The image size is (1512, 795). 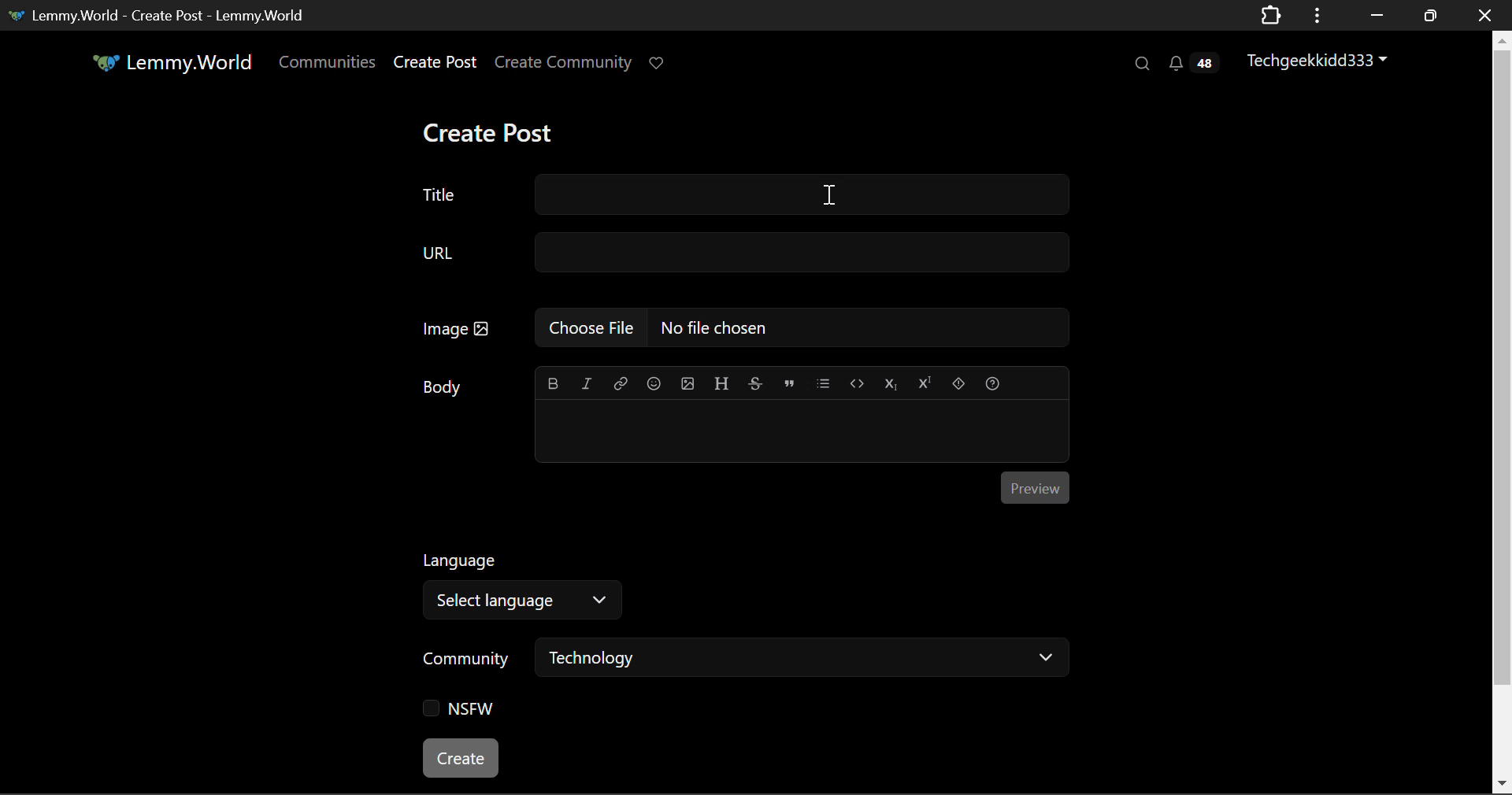 What do you see at coordinates (1485, 14) in the screenshot?
I see `Close Window` at bounding box center [1485, 14].